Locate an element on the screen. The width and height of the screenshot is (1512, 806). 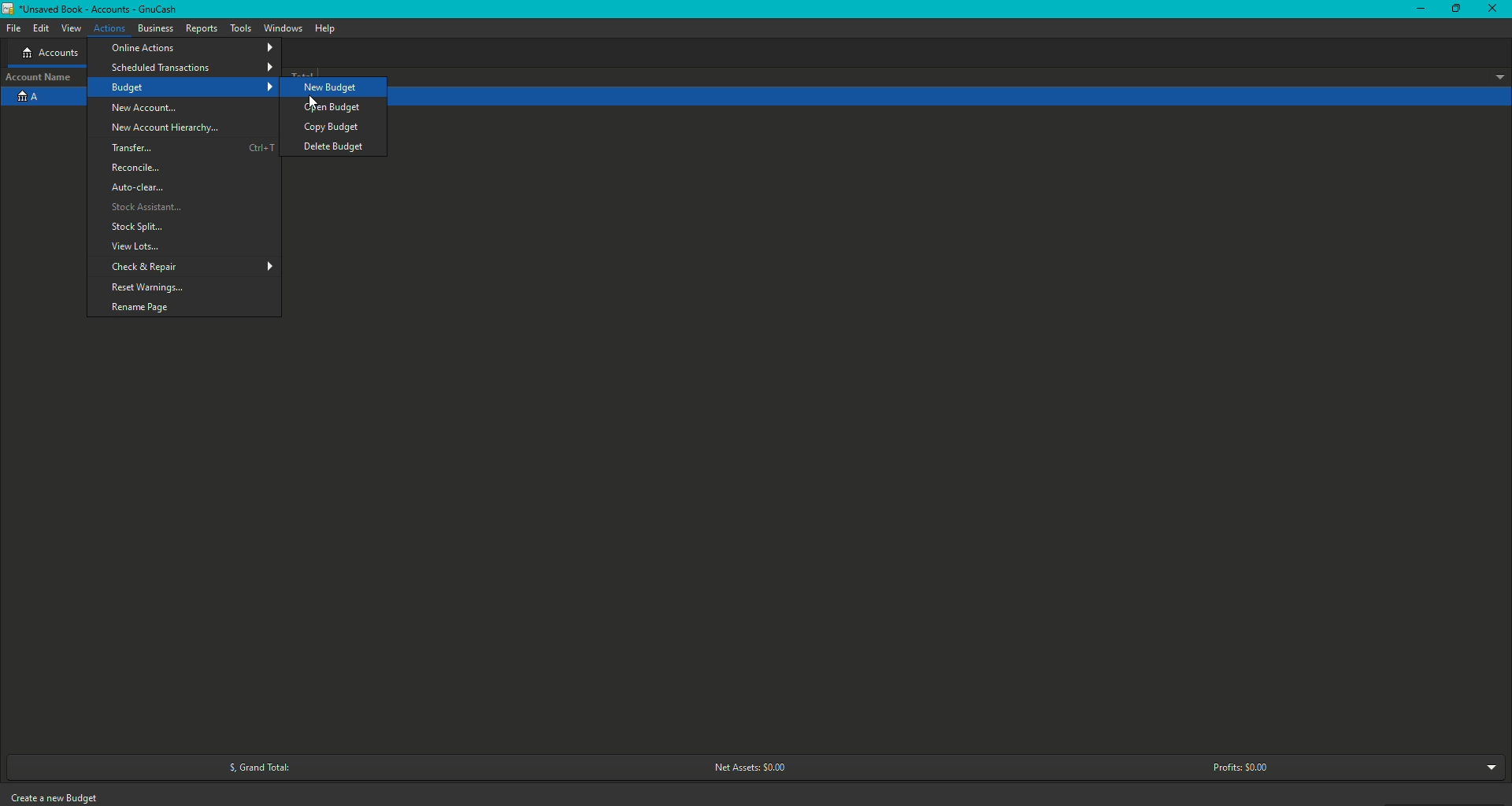
Auto clear is located at coordinates (139, 187).